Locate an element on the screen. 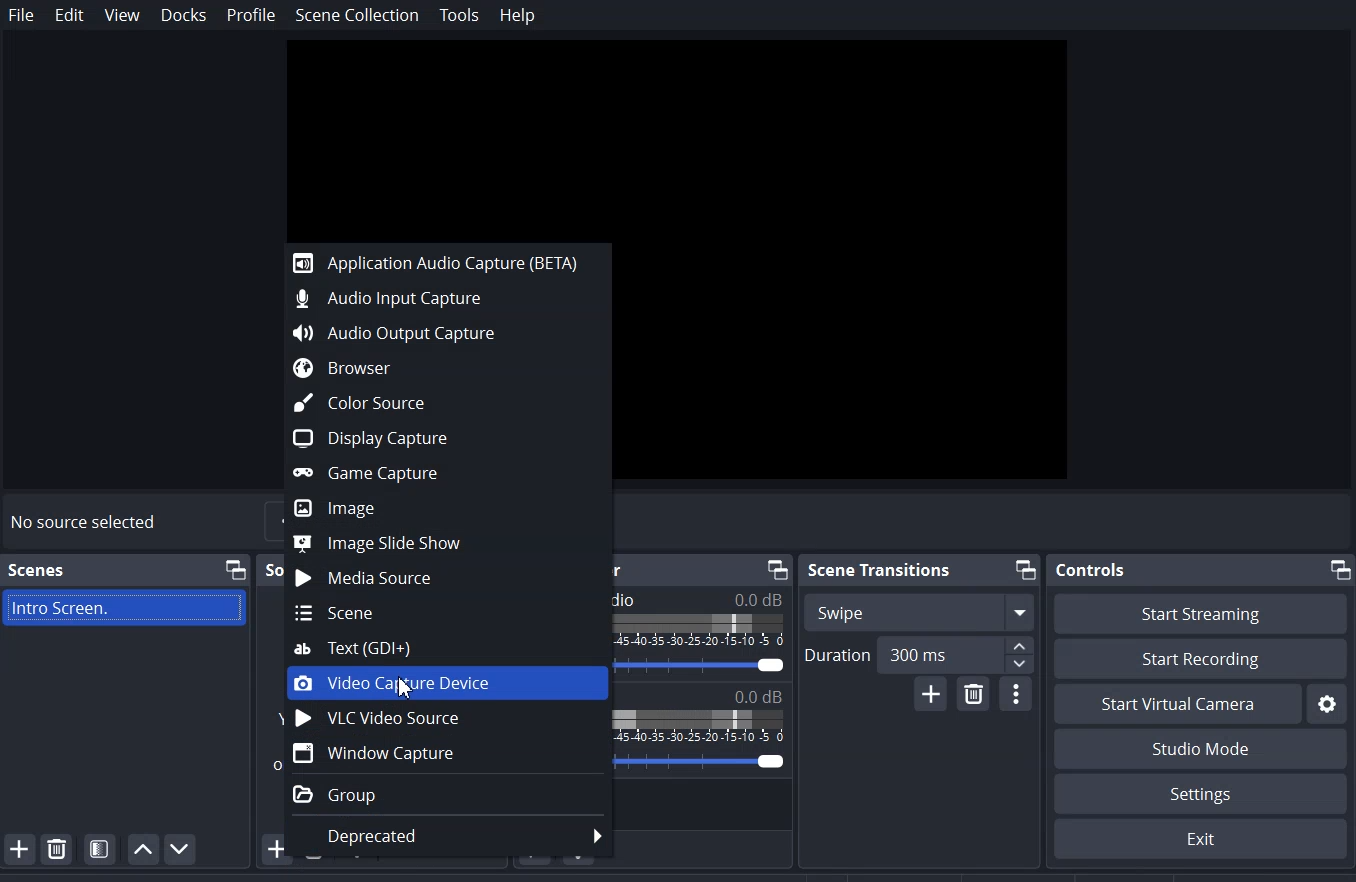  Scene Collection is located at coordinates (358, 16).